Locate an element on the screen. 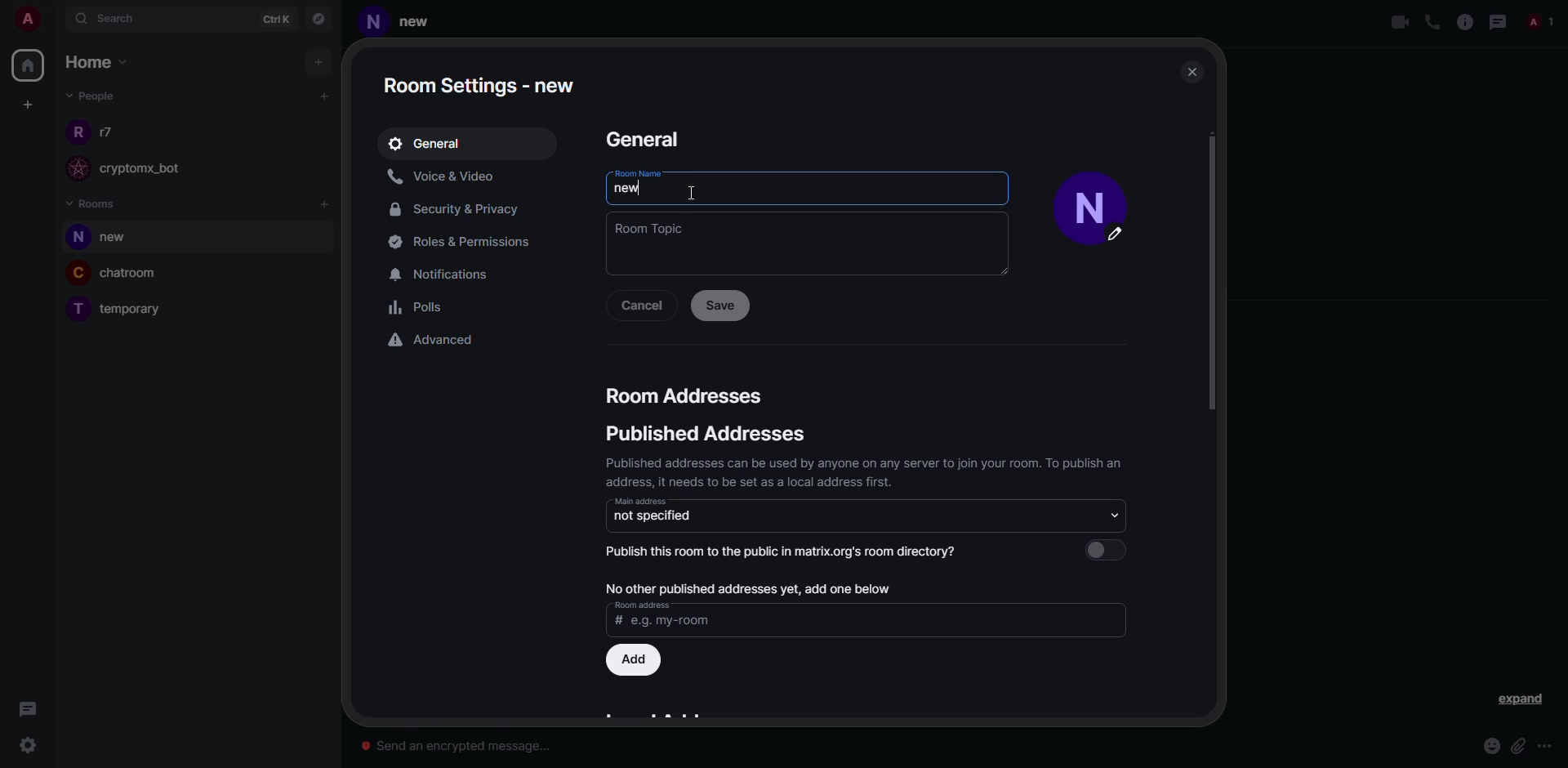 The image size is (1568, 768). profile is located at coordinates (1085, 192).